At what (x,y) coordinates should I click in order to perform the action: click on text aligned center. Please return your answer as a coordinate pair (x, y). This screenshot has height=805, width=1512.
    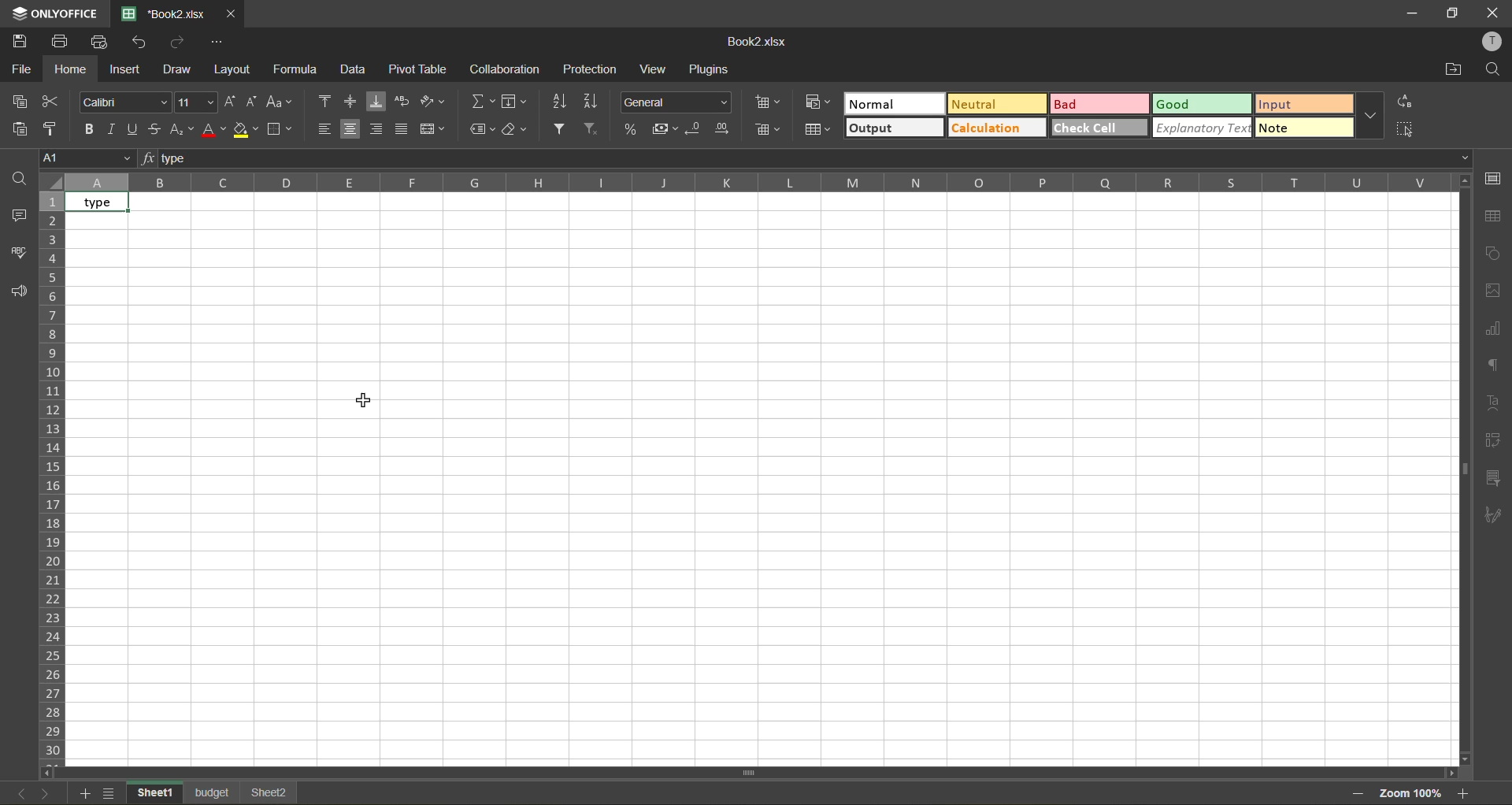
    Looking at the image, I should click on (104, 203).